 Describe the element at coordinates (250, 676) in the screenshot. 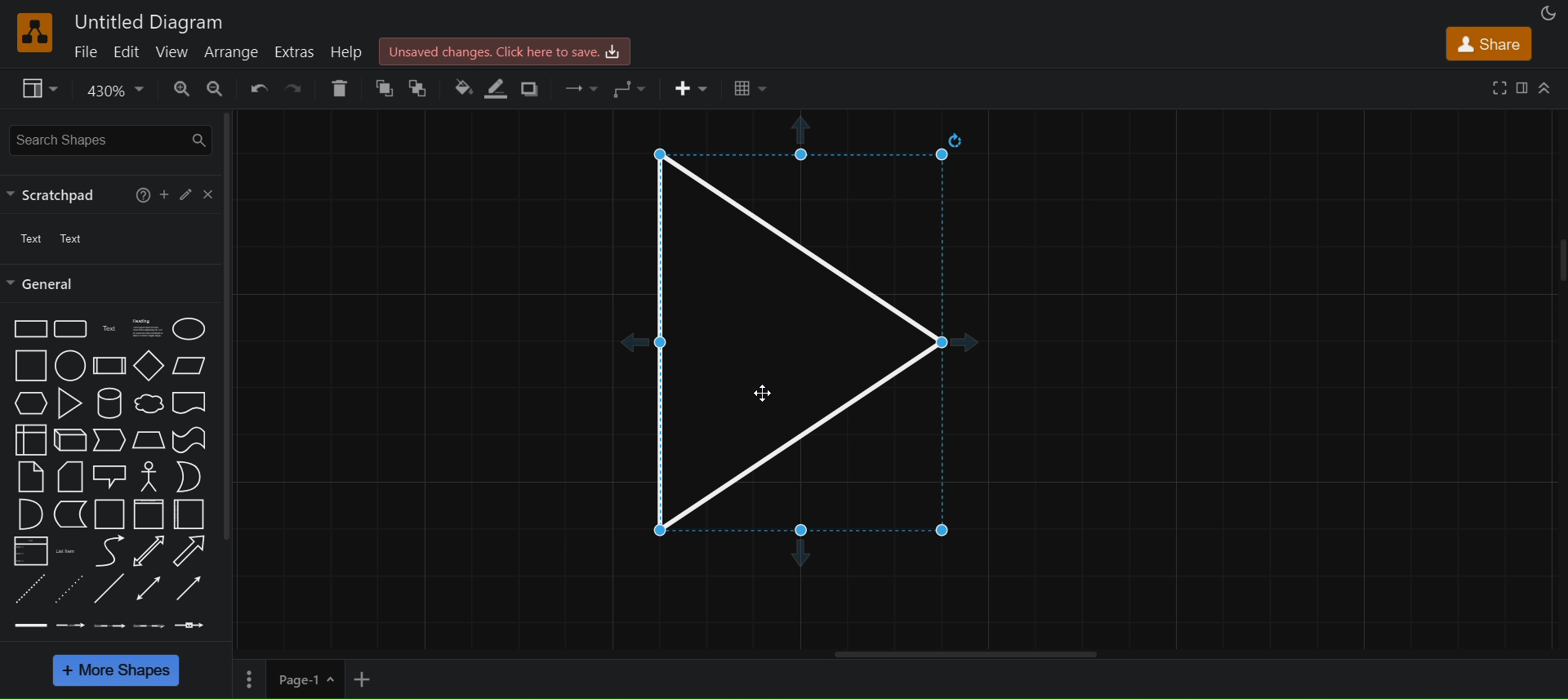

I see `Options` at that location.